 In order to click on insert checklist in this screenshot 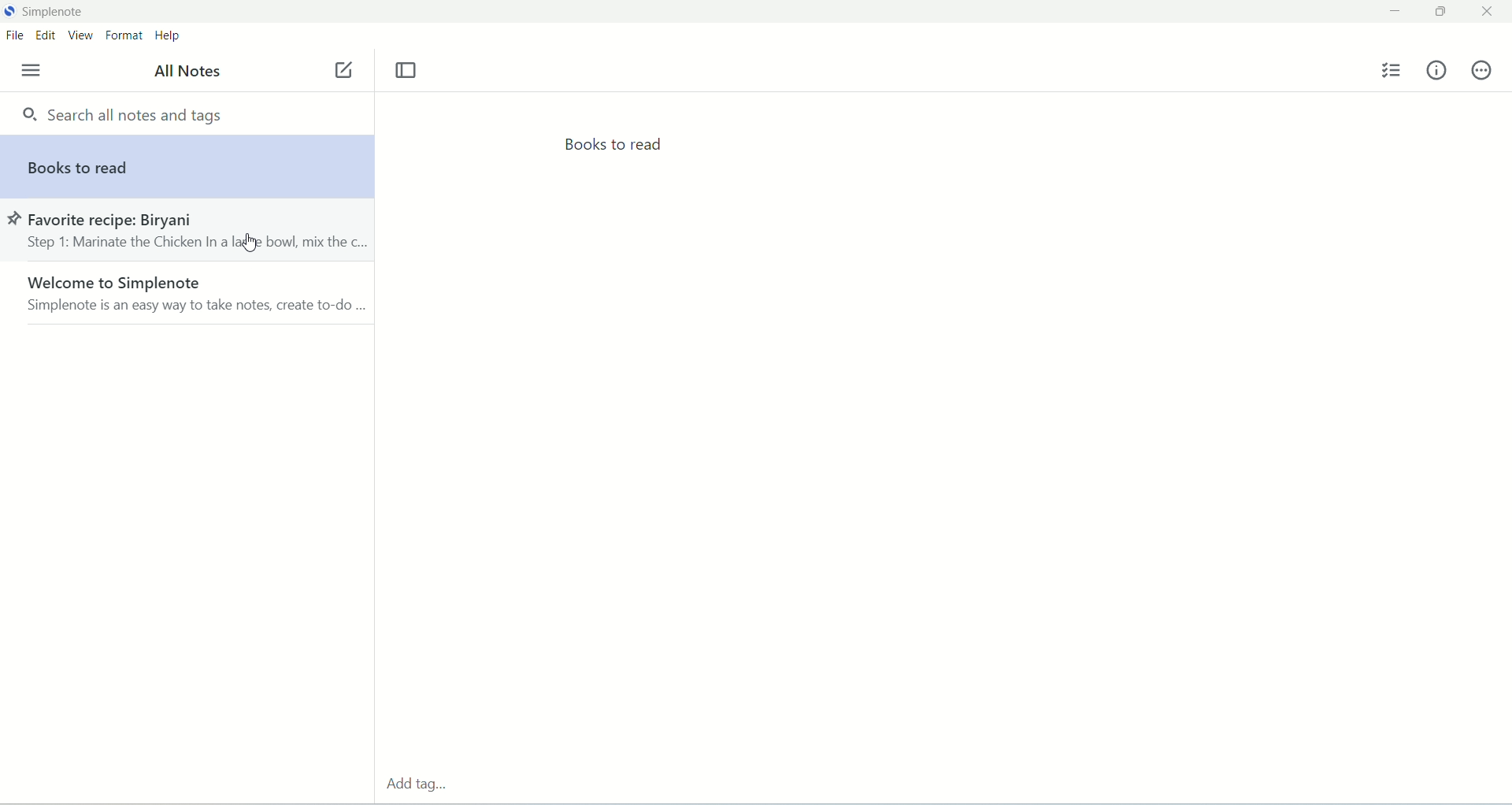, I will do `click(1393, 71)`.